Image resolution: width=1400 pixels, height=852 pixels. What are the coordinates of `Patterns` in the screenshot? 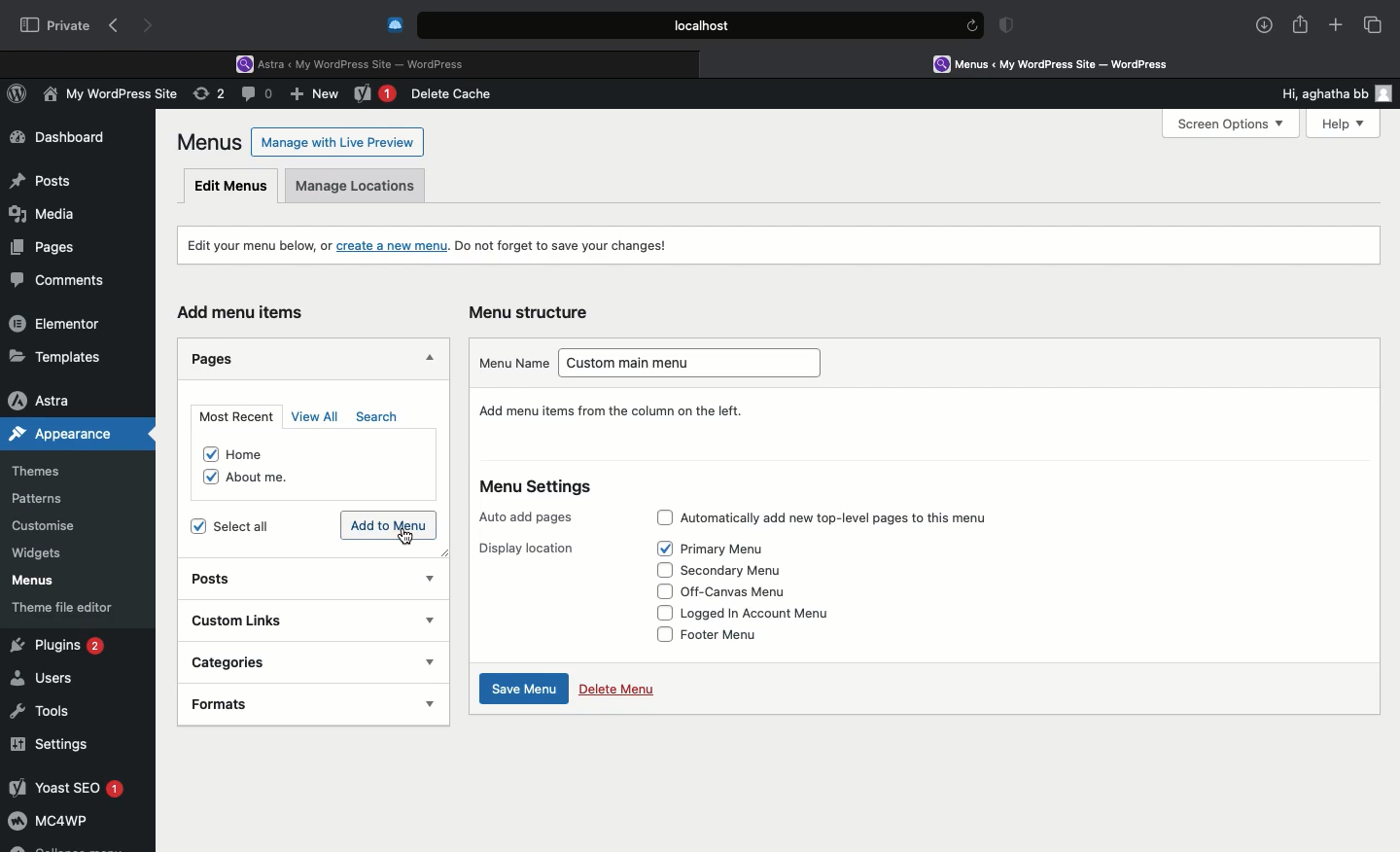 It's located at (45, 500).